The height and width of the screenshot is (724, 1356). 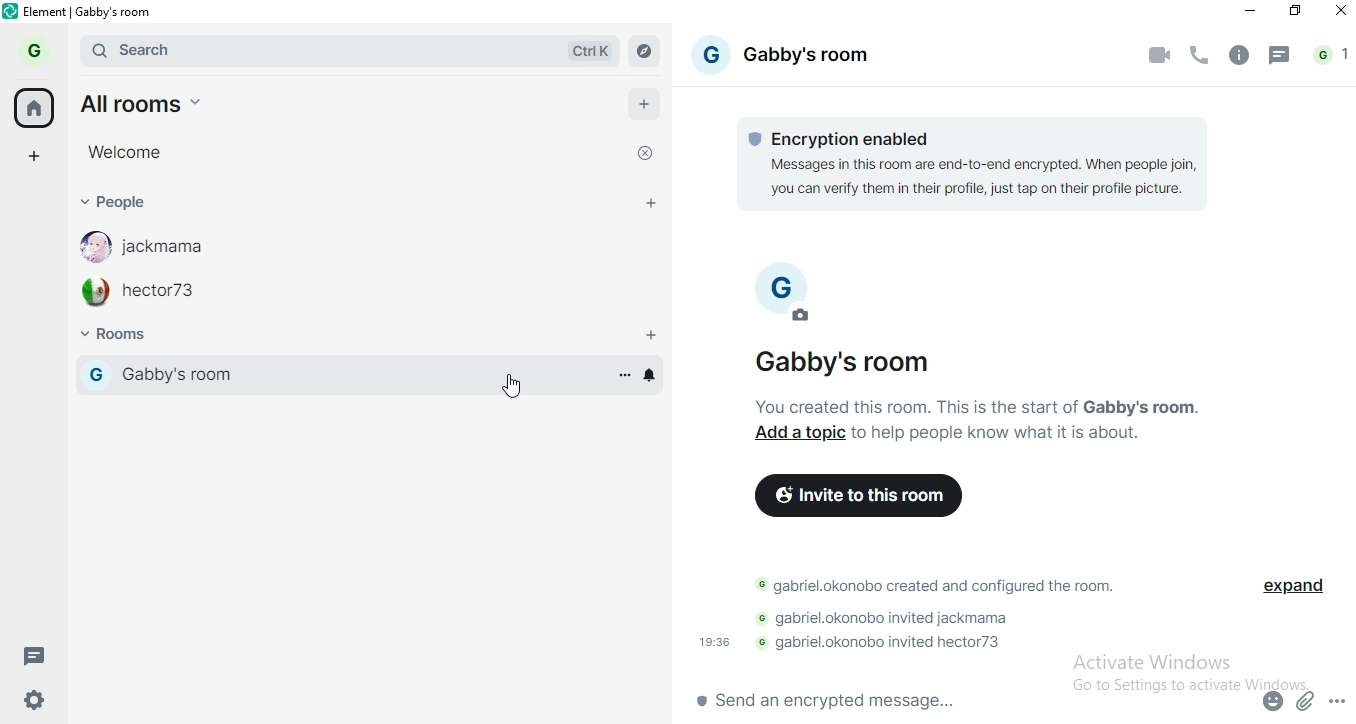 What do you see at coordinates (1160, 54) in the screenshot?
I see `video call` at bounding box center [1160, 54].